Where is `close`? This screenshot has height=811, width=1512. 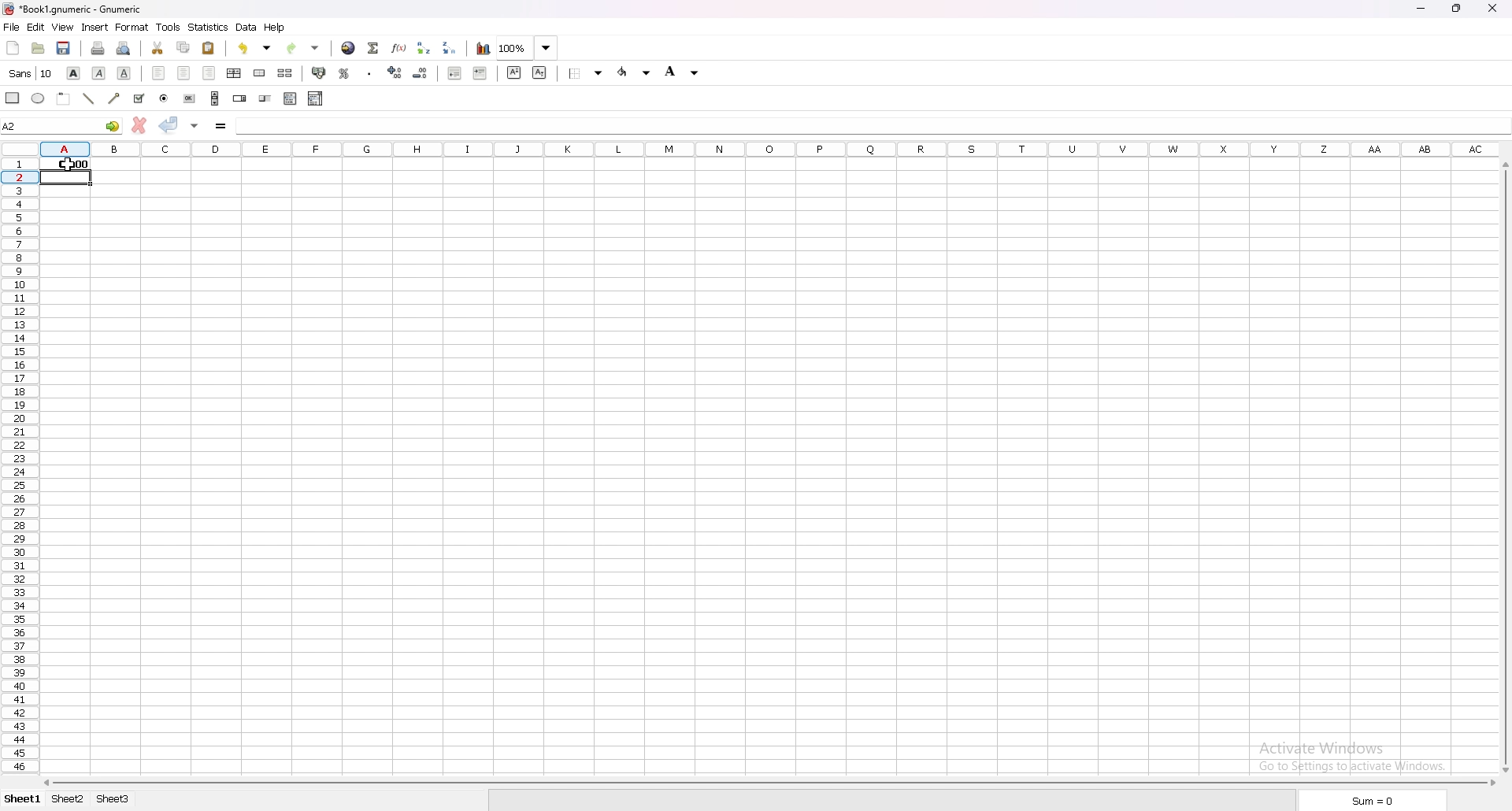
close is located at coordinates (1493, 9).